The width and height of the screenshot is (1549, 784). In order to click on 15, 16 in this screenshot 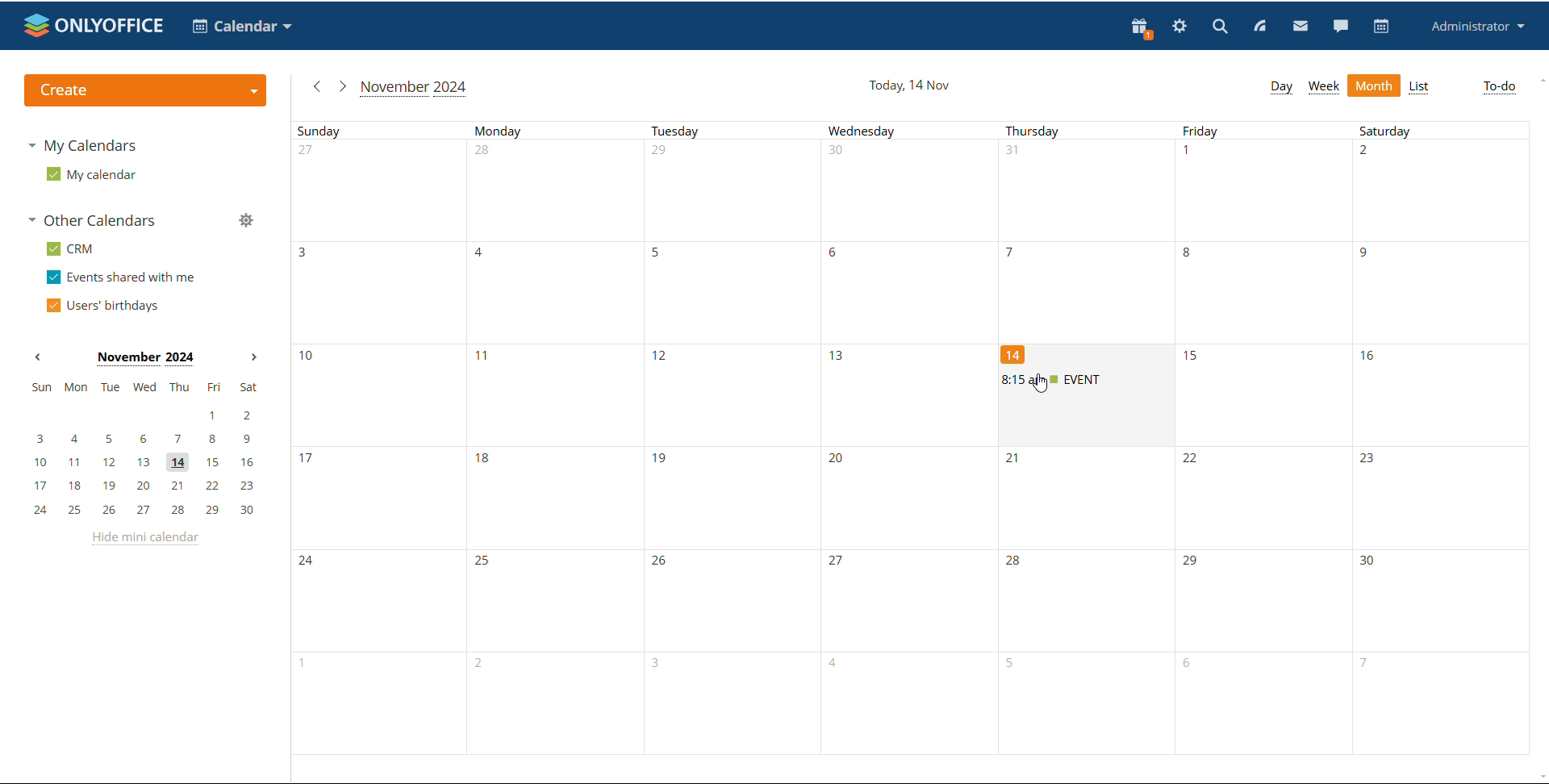, I will do `click(1365, 394)`.